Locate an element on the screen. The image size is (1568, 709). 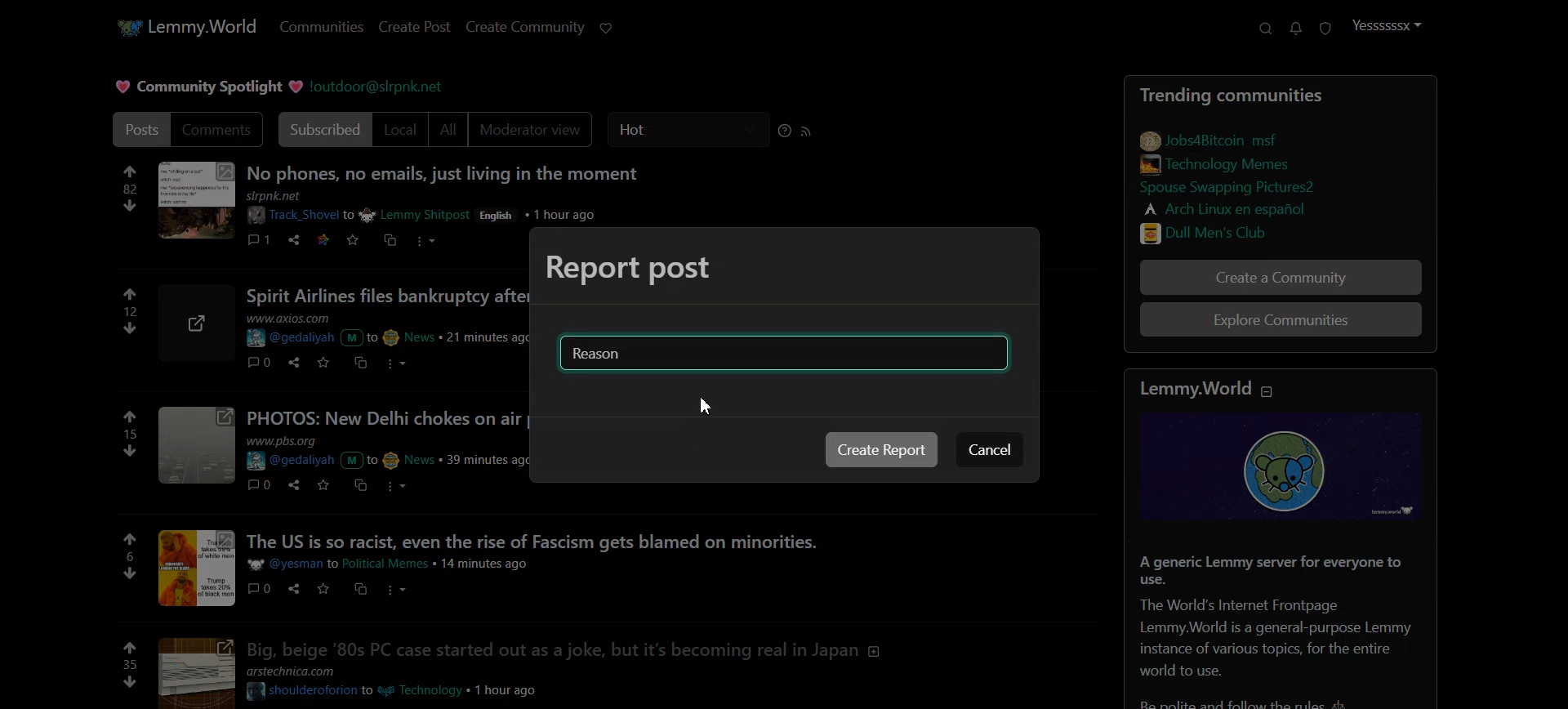
numbers is located at coordinates (129, 556).